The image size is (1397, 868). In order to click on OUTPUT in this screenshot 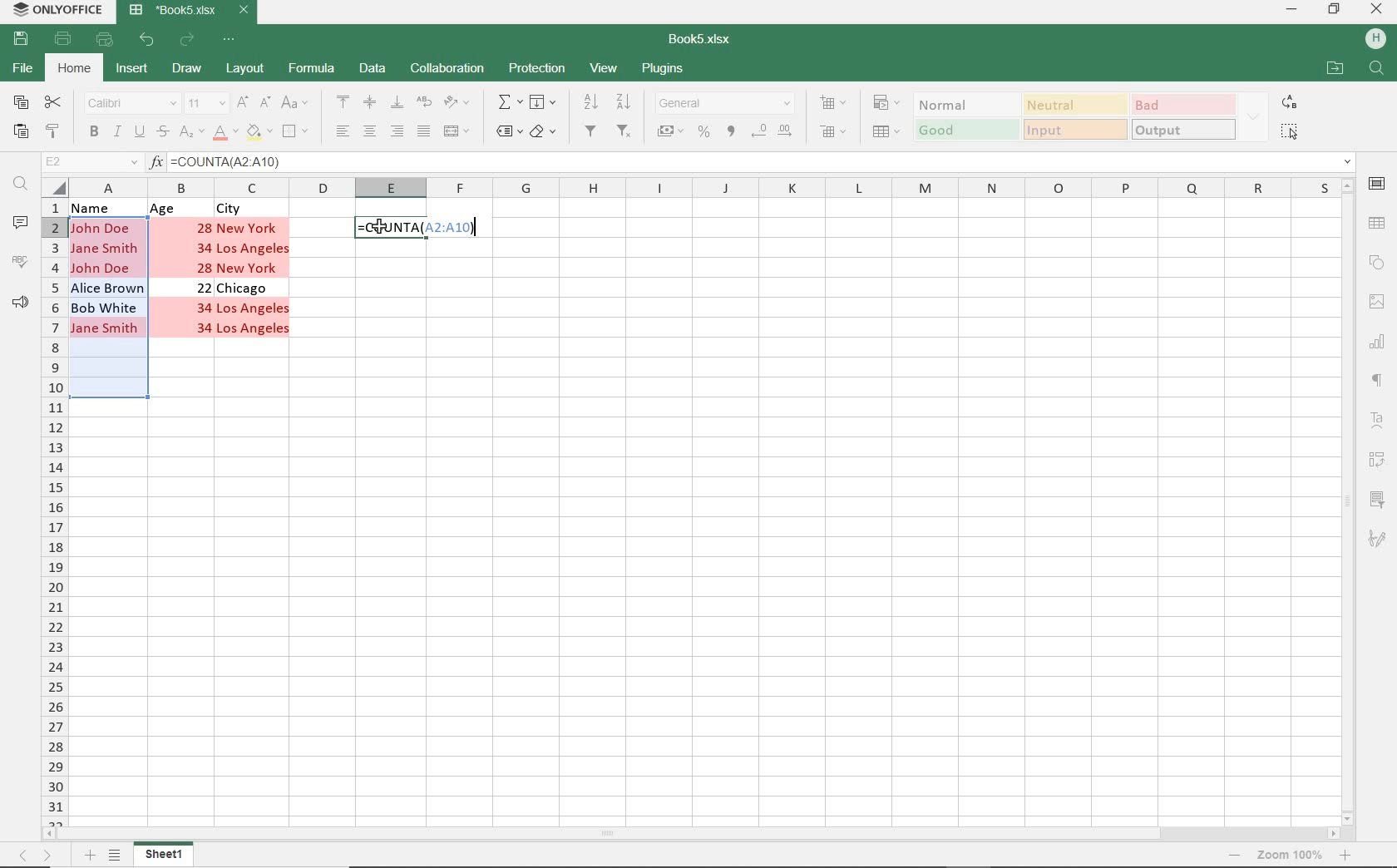, I will do `click(1184, 130)`.